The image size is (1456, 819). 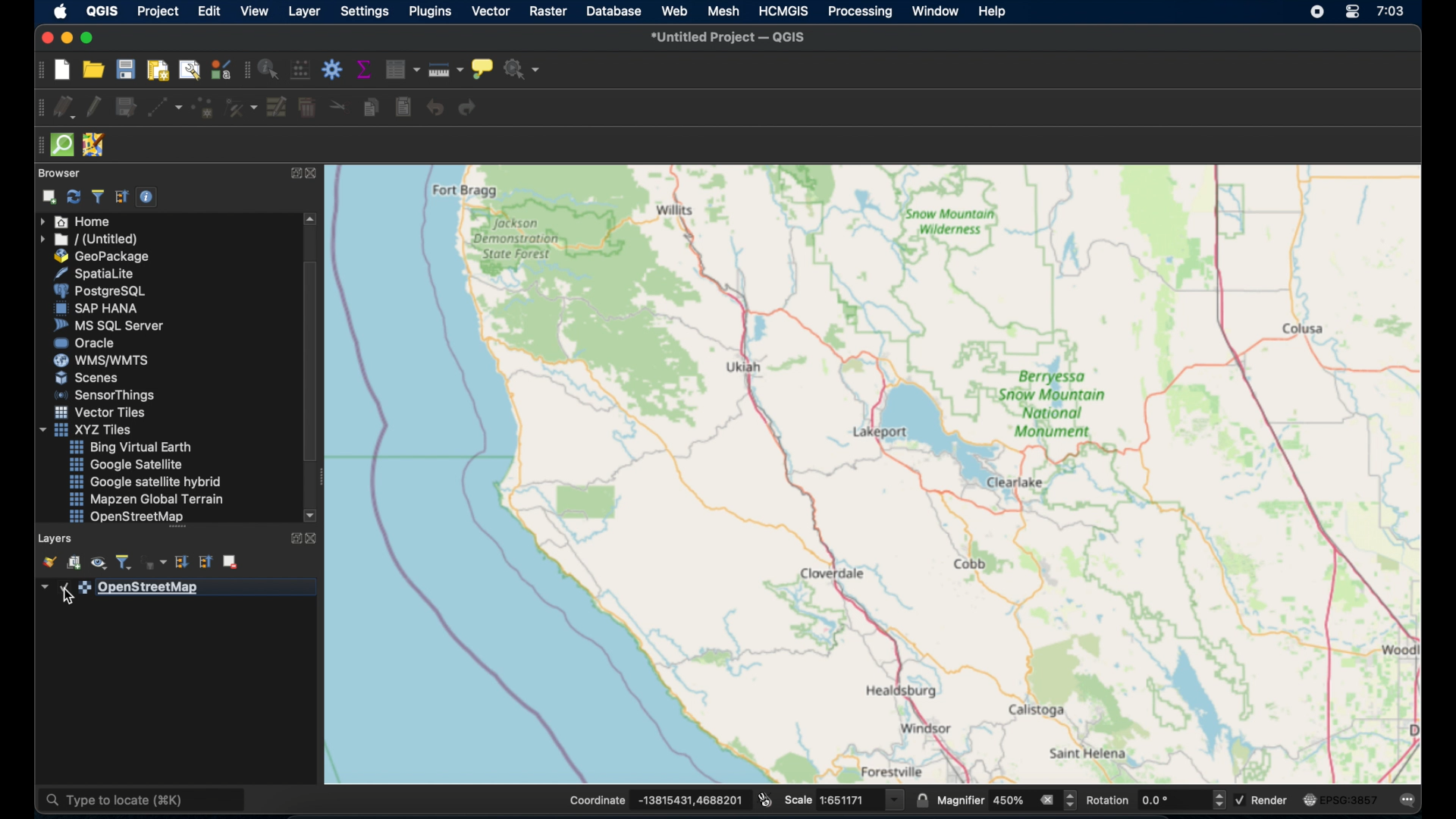 I want to click on new print layout, so click(x=157, y=71).